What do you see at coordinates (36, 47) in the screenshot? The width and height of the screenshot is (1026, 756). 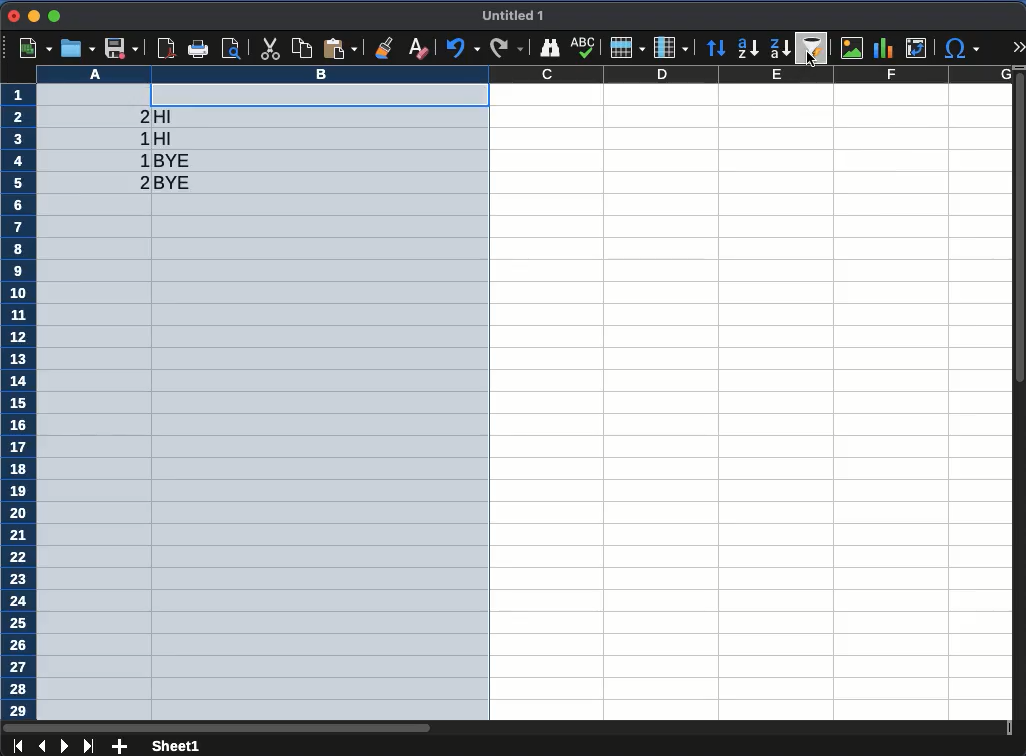 I see `new` at bounding box center [36, 47].